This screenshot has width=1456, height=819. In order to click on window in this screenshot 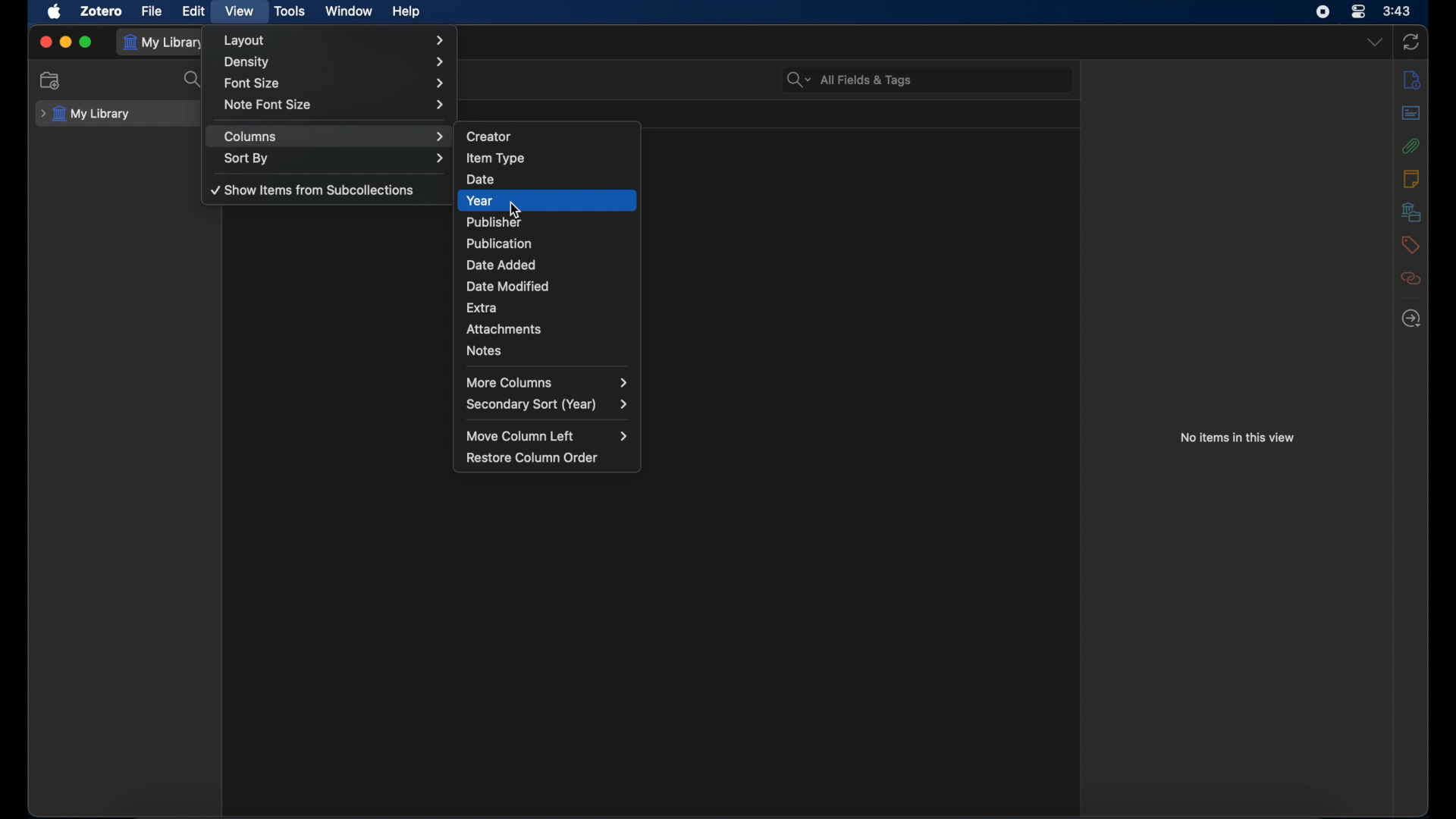, I will do `click(347, 11)`.